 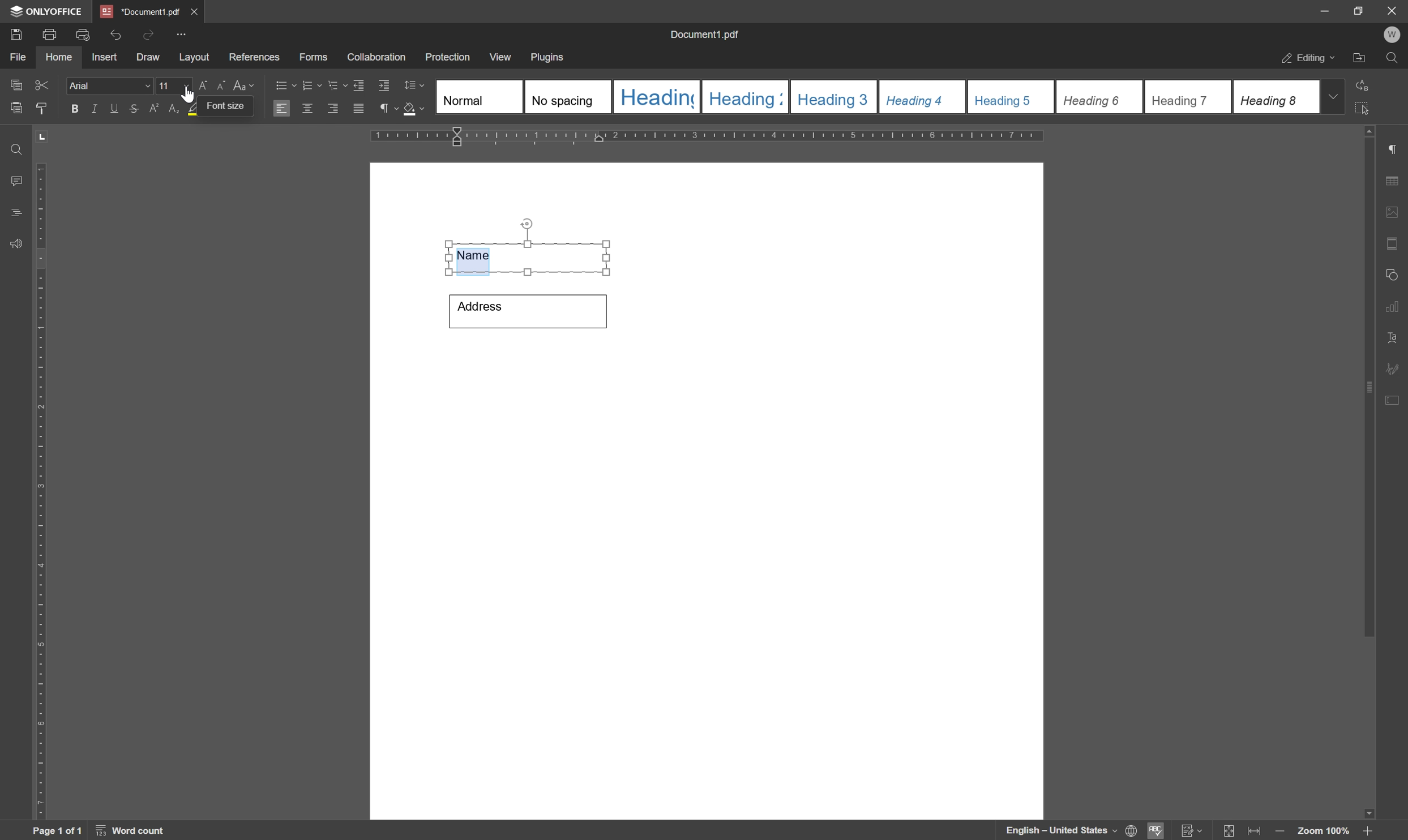 I want to click on word count, so click(x=134, y=831).